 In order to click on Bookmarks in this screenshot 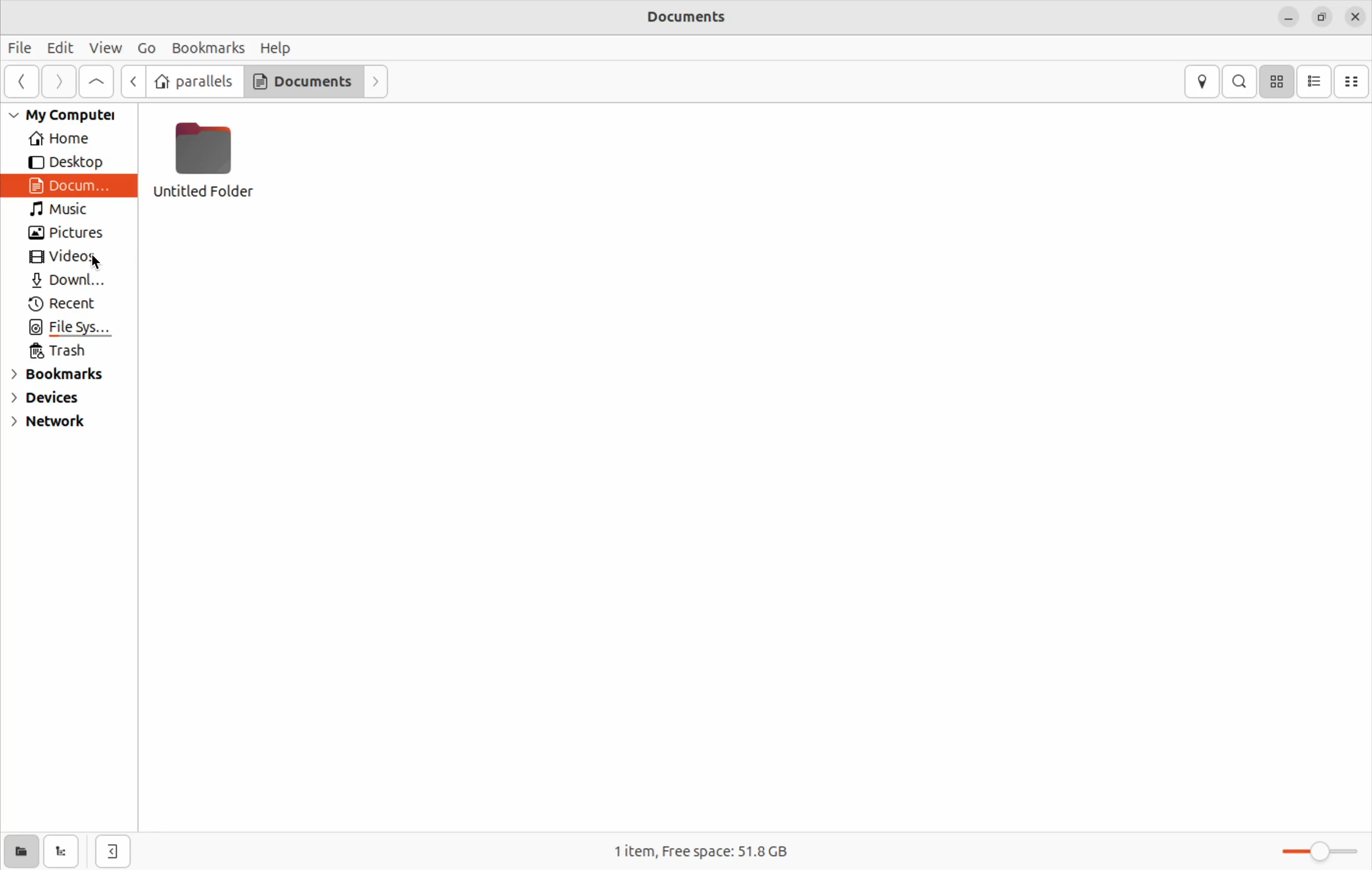, I will do `click(208, 45)`.